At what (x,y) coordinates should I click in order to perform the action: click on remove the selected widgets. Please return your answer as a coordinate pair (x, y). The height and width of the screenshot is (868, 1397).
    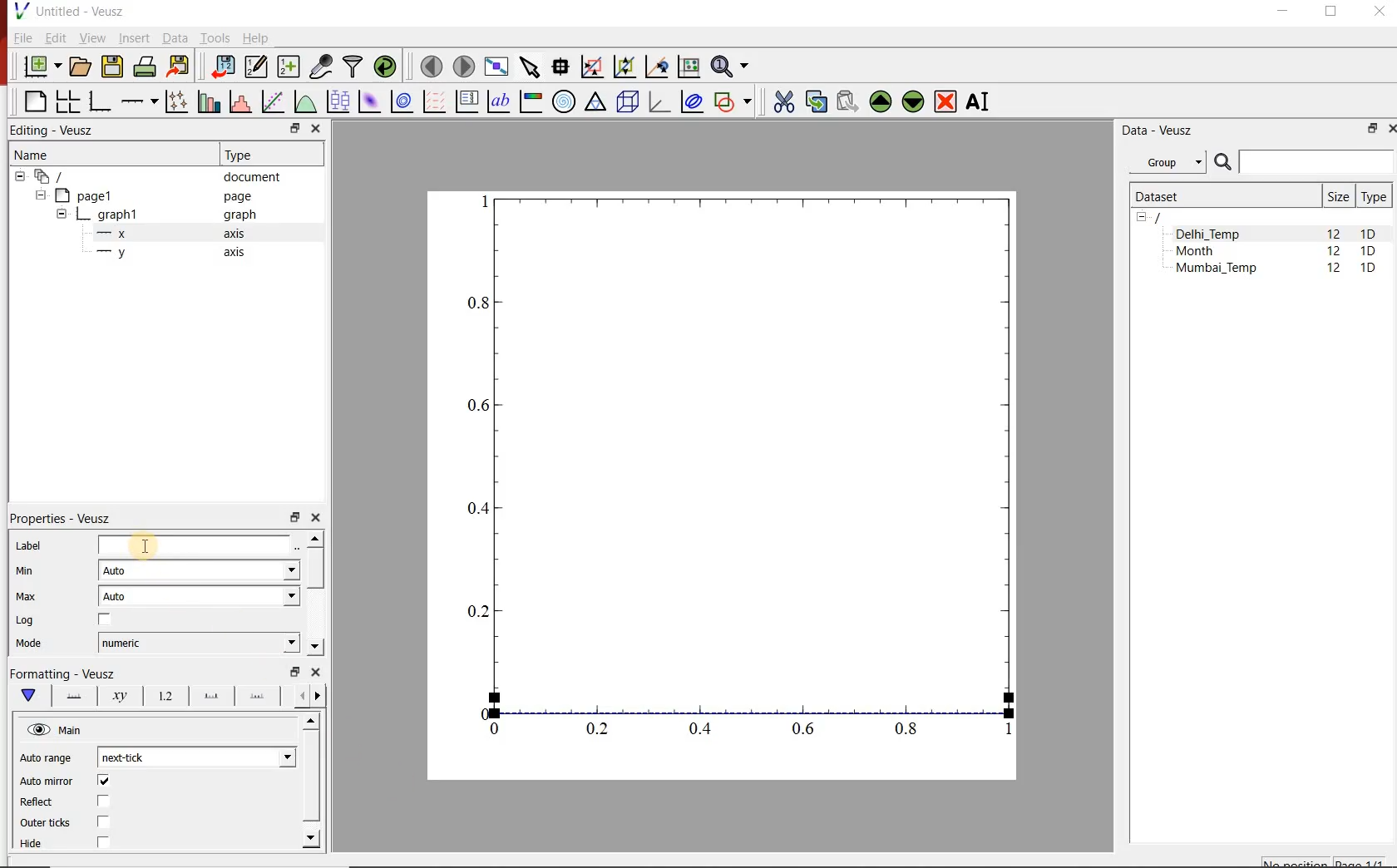
    Looking at the image, I should click on (946, 101).